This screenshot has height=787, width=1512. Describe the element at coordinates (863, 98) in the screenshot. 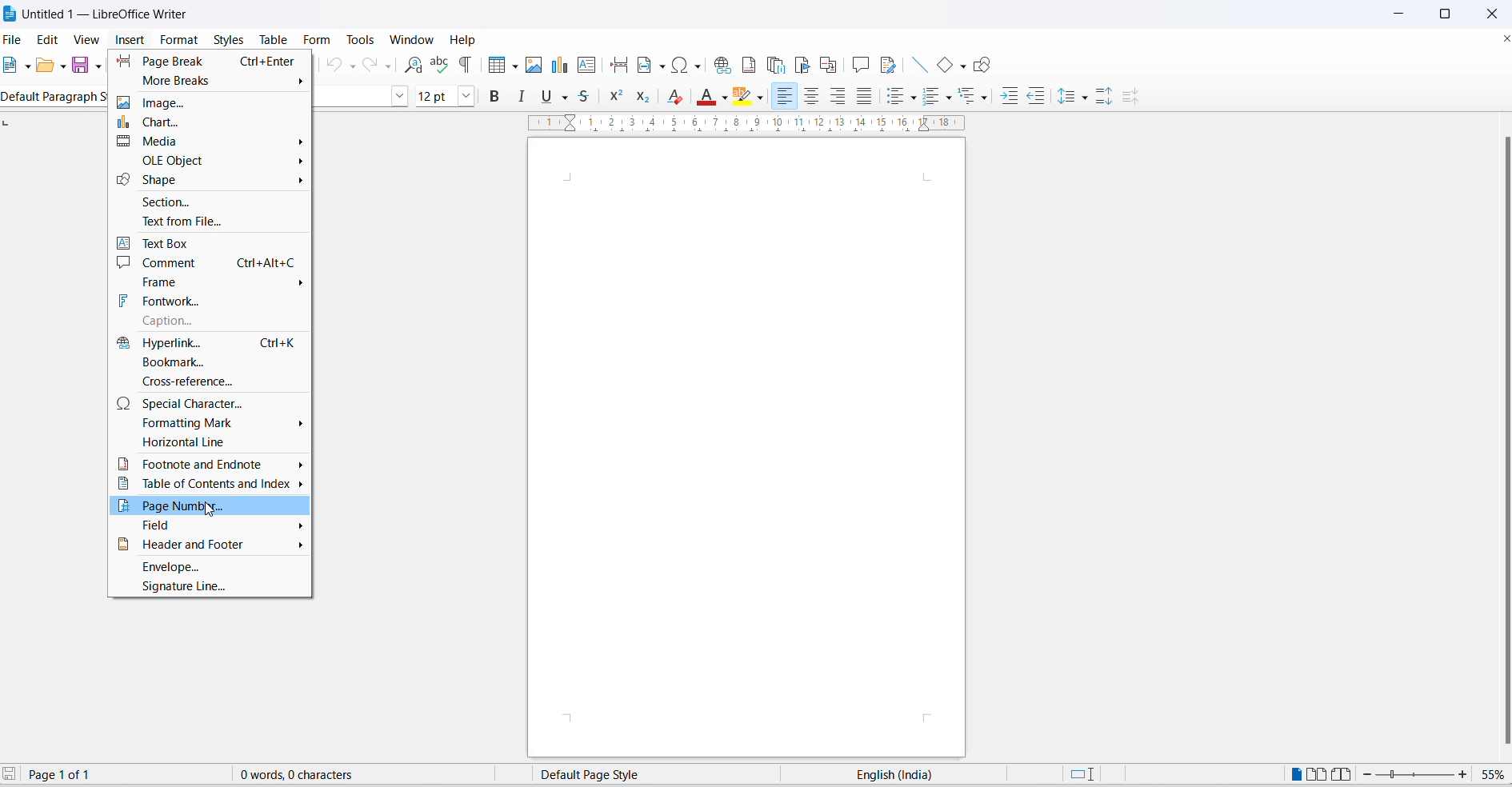

I see `justified` at that location.